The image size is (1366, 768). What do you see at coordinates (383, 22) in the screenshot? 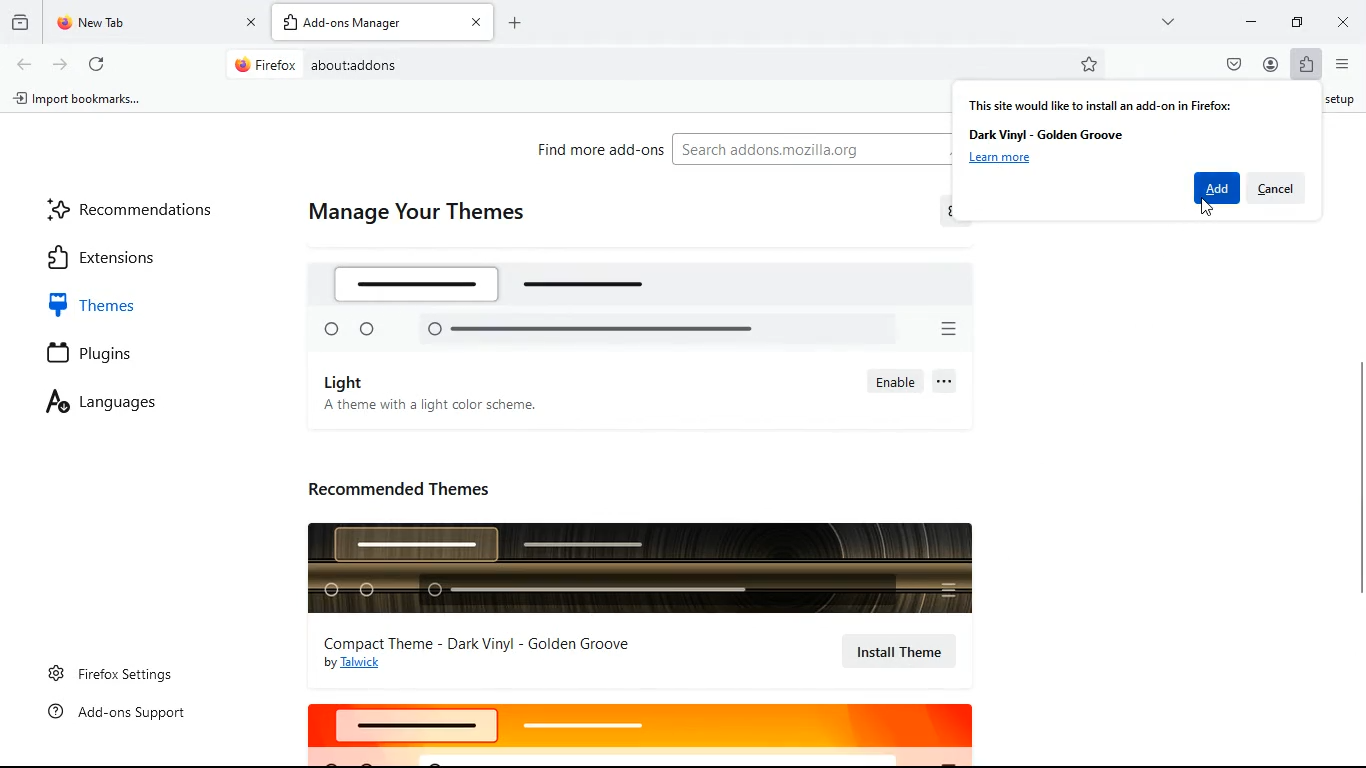
I see `add-ons tab` at bounding box center [383, 22].